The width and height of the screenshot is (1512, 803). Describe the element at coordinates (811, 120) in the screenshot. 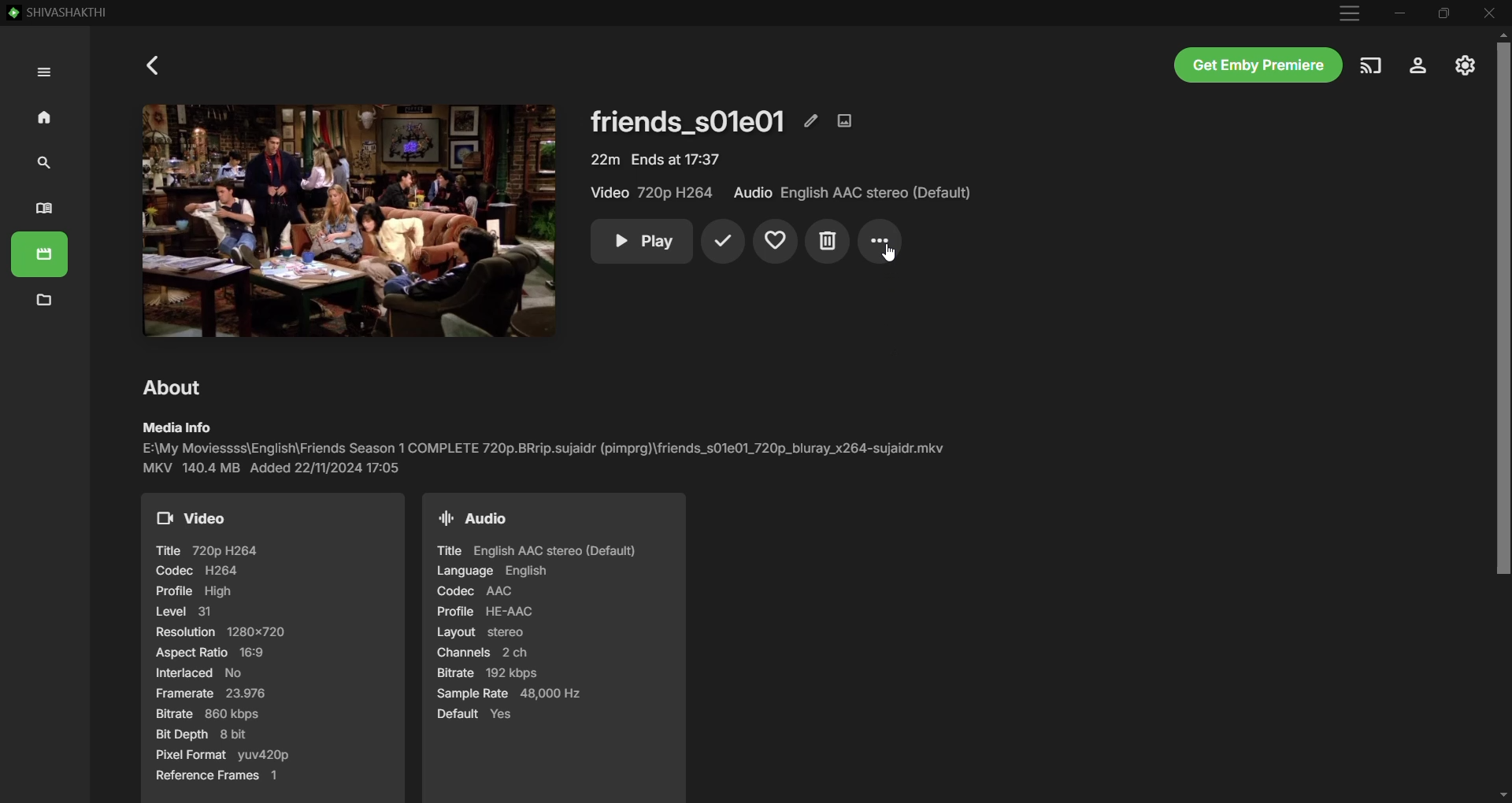

I see `Edit Metadata` at that location.